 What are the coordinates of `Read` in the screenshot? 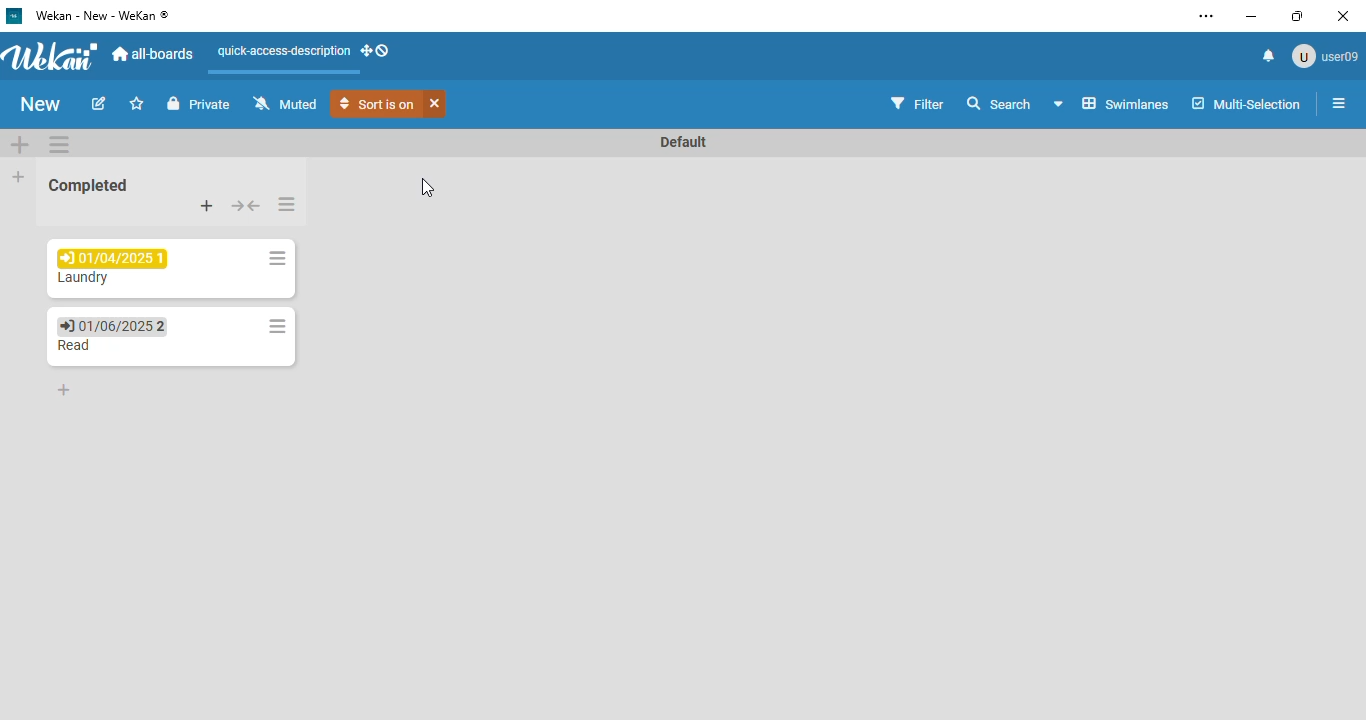 It's located at (74, 345).